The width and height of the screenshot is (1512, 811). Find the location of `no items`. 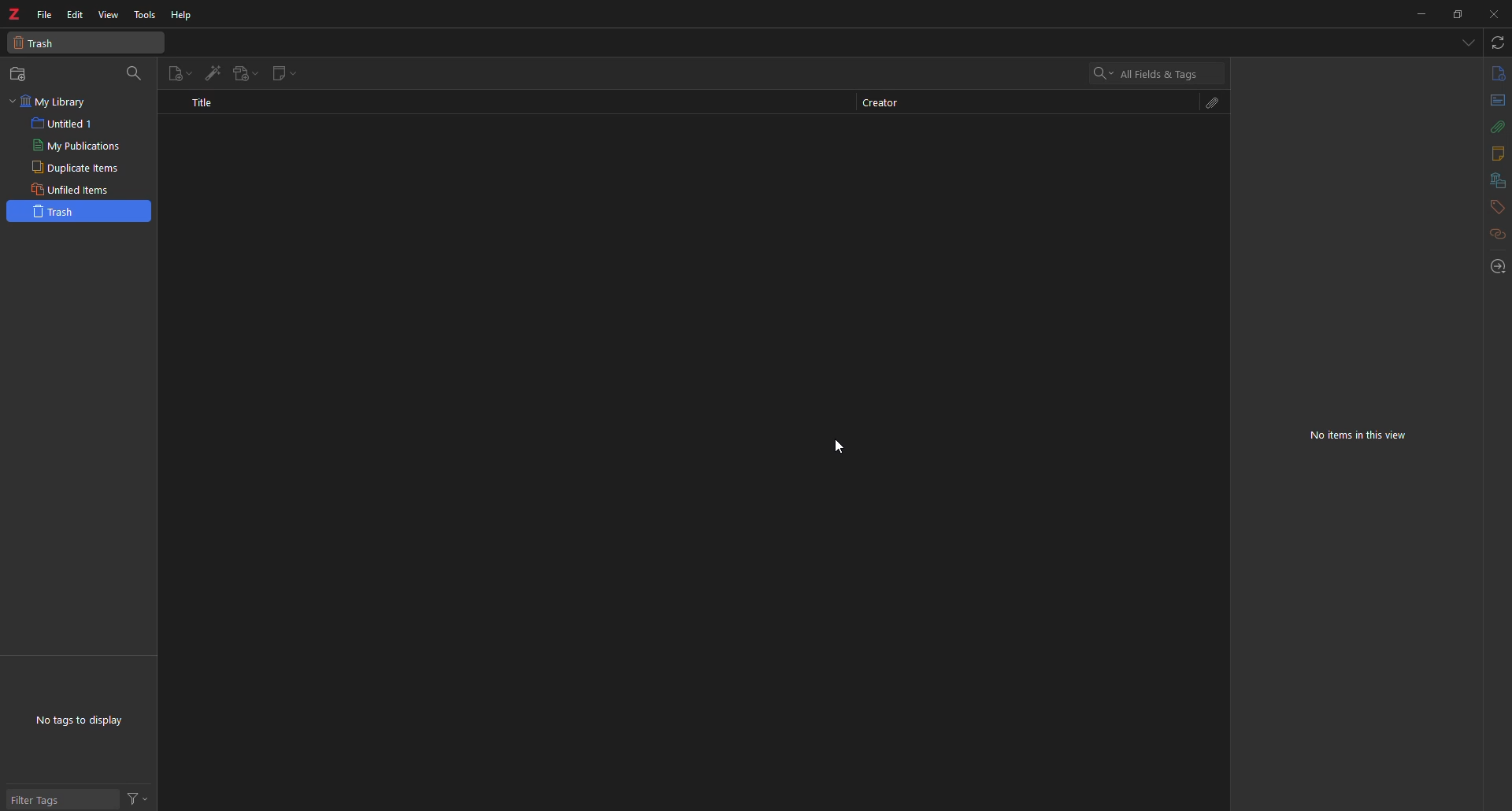

no items is located at coordinates (1357, 431).